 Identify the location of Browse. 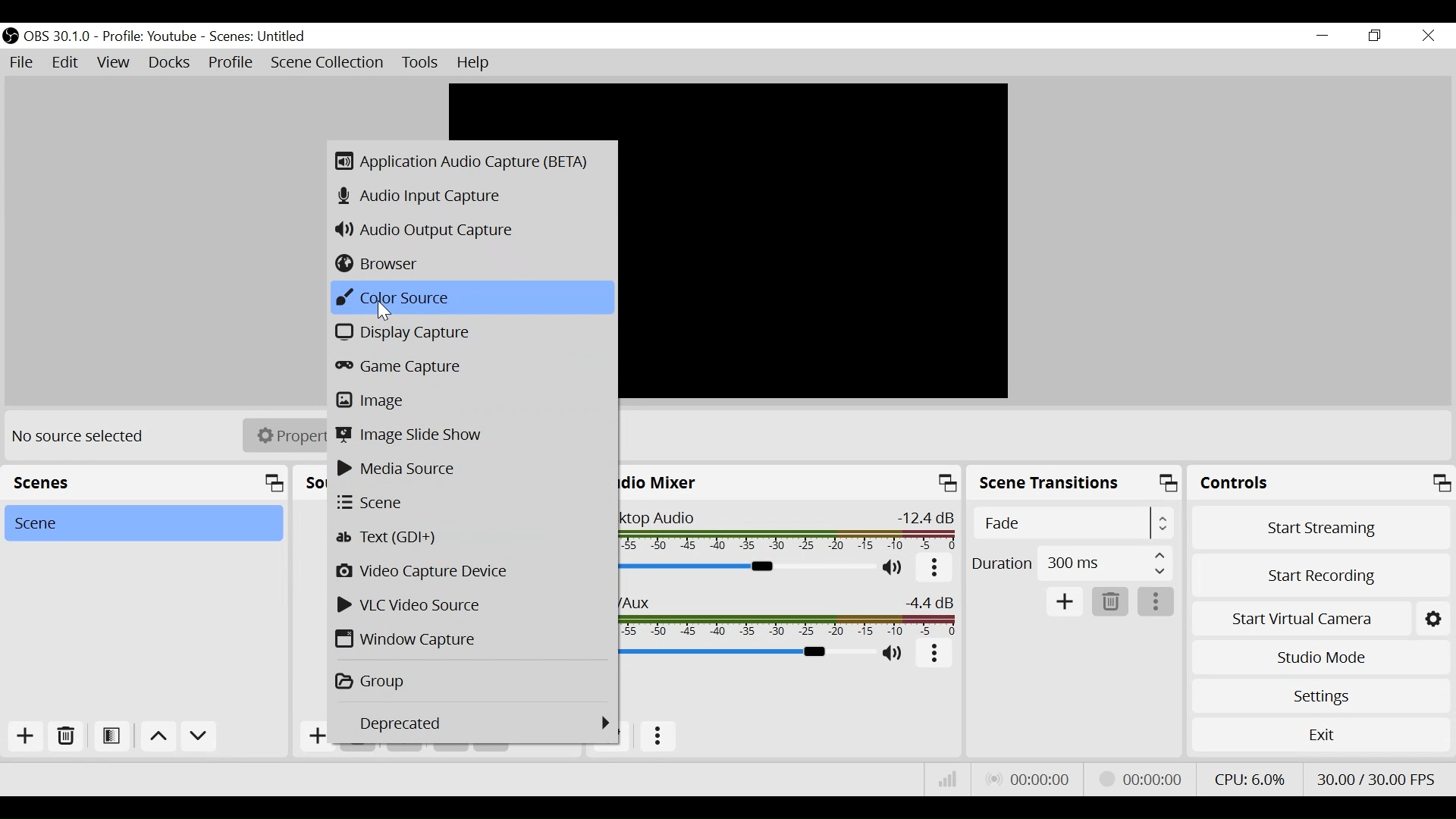
(469, 264).